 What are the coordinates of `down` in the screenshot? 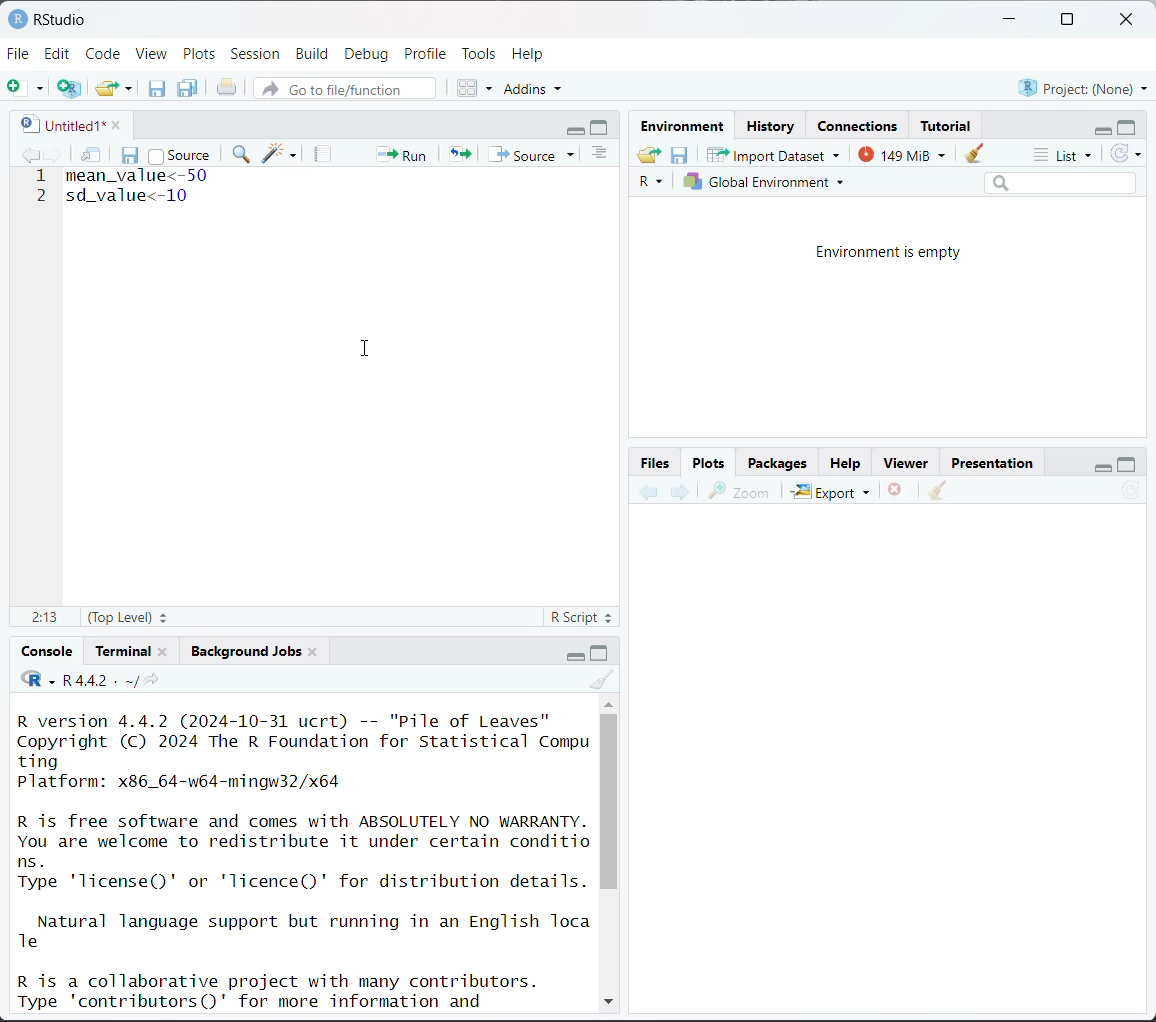 It's located at (607, 998).